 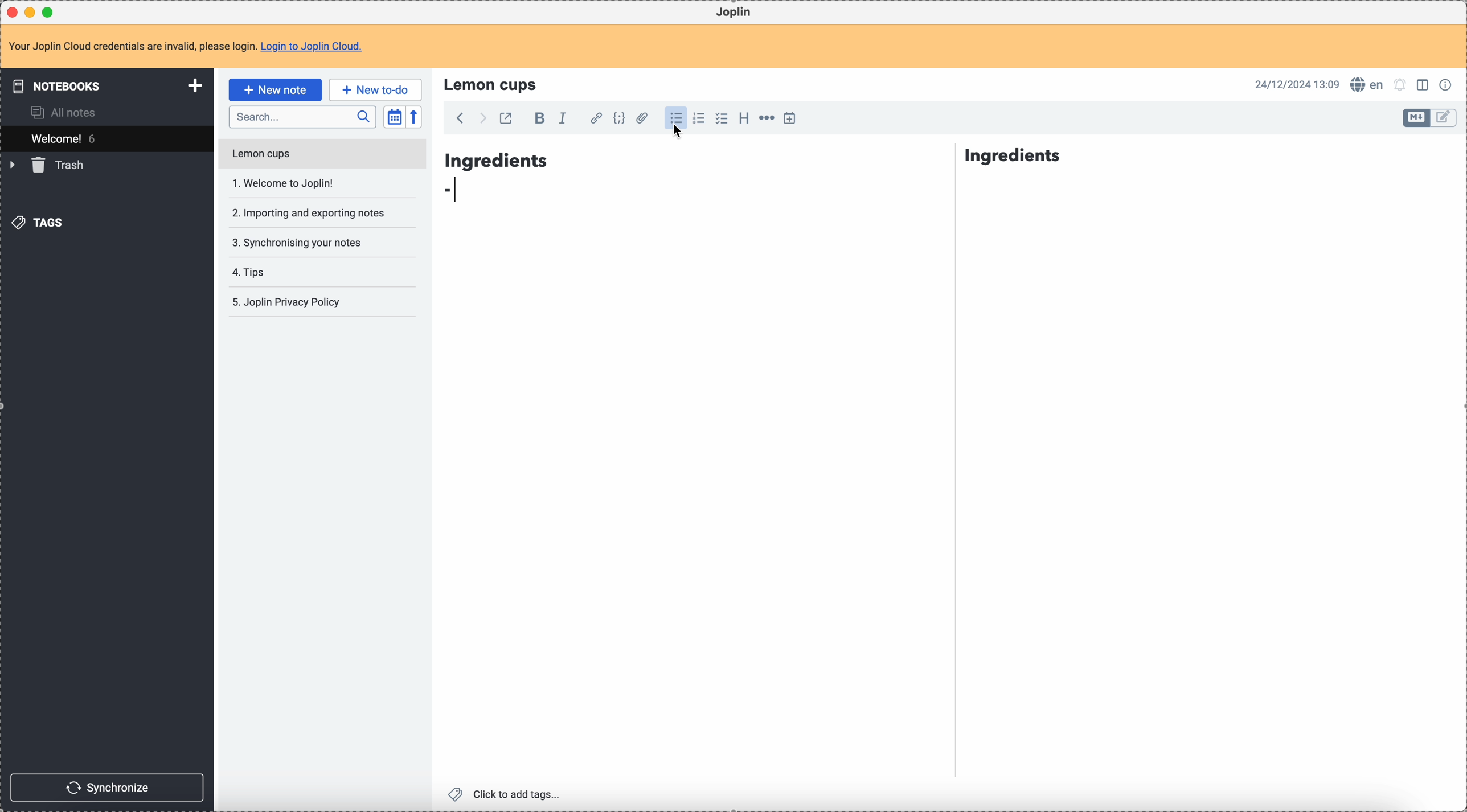 I want to click on attach file, so click(x=640, y=119).